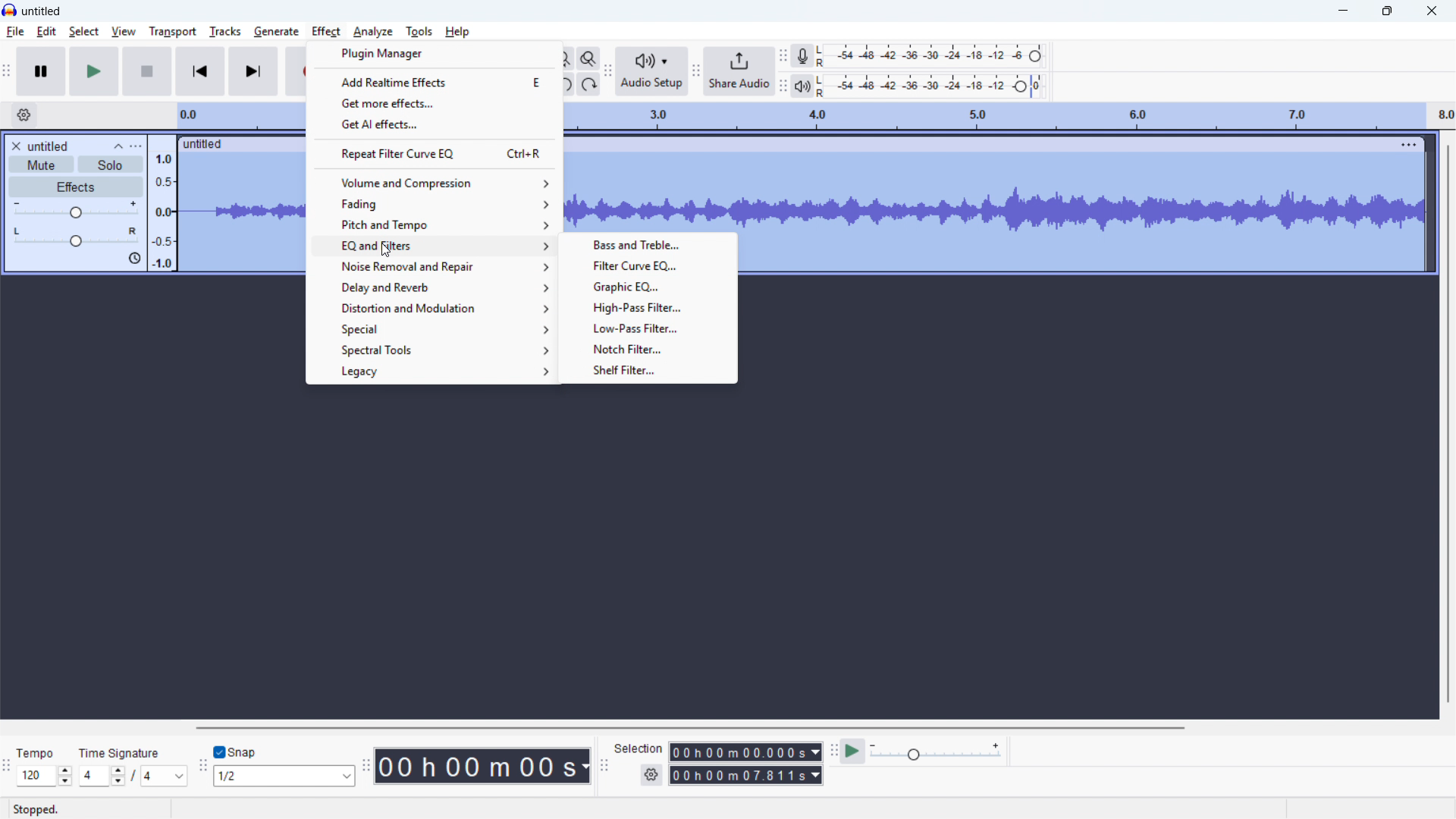  I want to click on skip to end, so click(255, 71).